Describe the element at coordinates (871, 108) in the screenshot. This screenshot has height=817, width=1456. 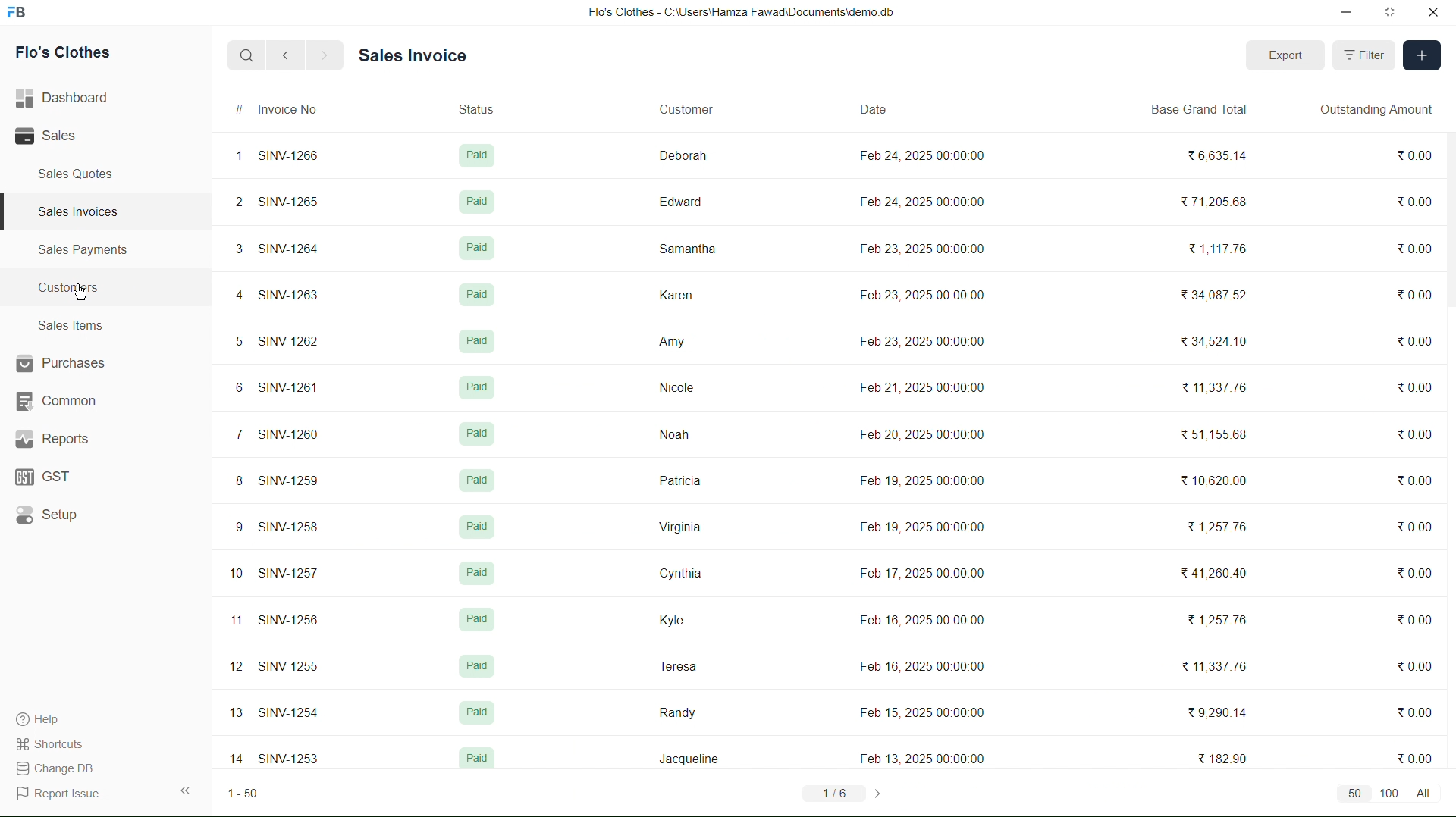
I see `Date` at that location.